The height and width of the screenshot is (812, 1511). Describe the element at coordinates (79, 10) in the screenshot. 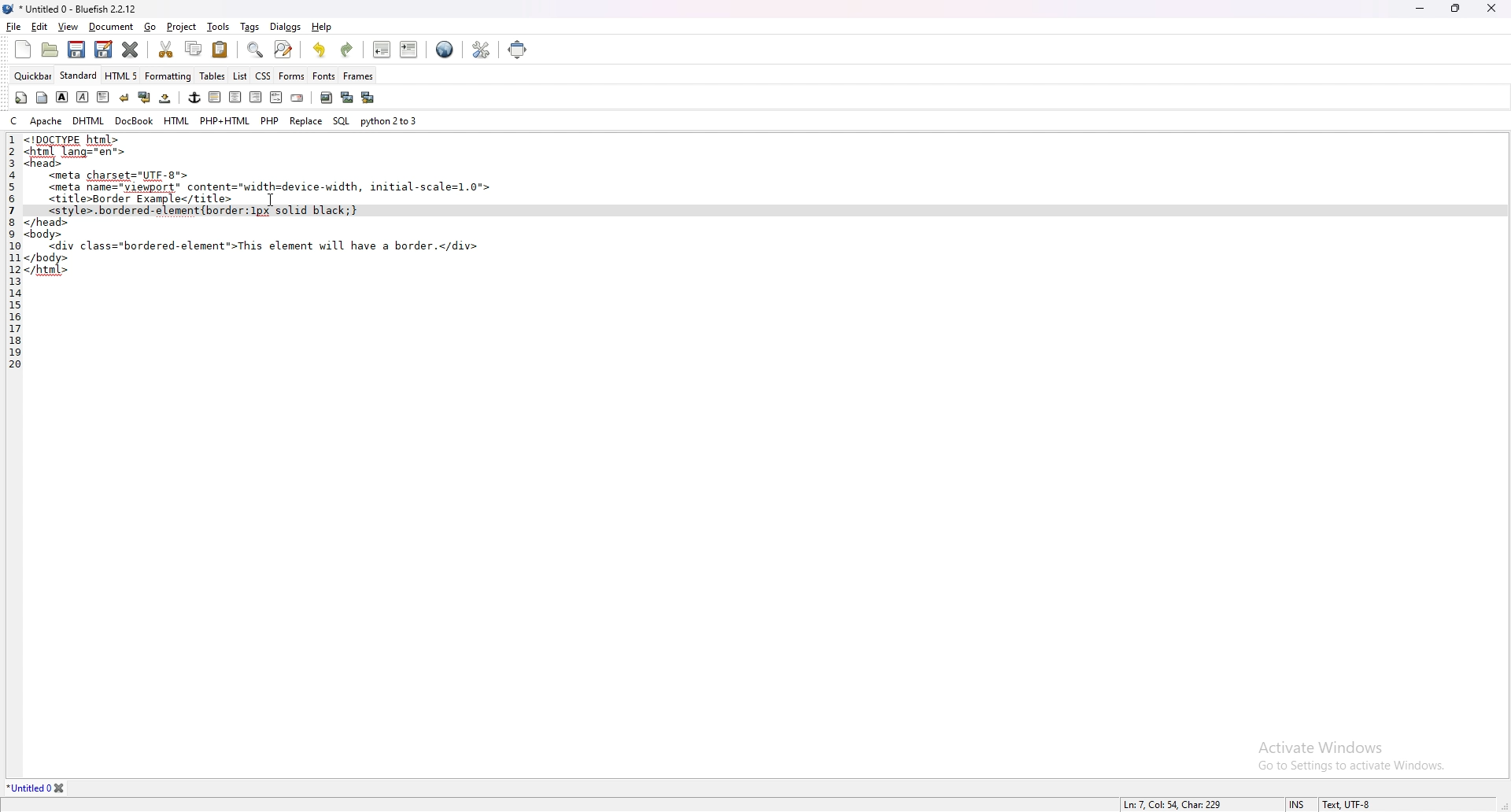

I see `* Untitled 0 - Bluefish 2.2.12` at that location.